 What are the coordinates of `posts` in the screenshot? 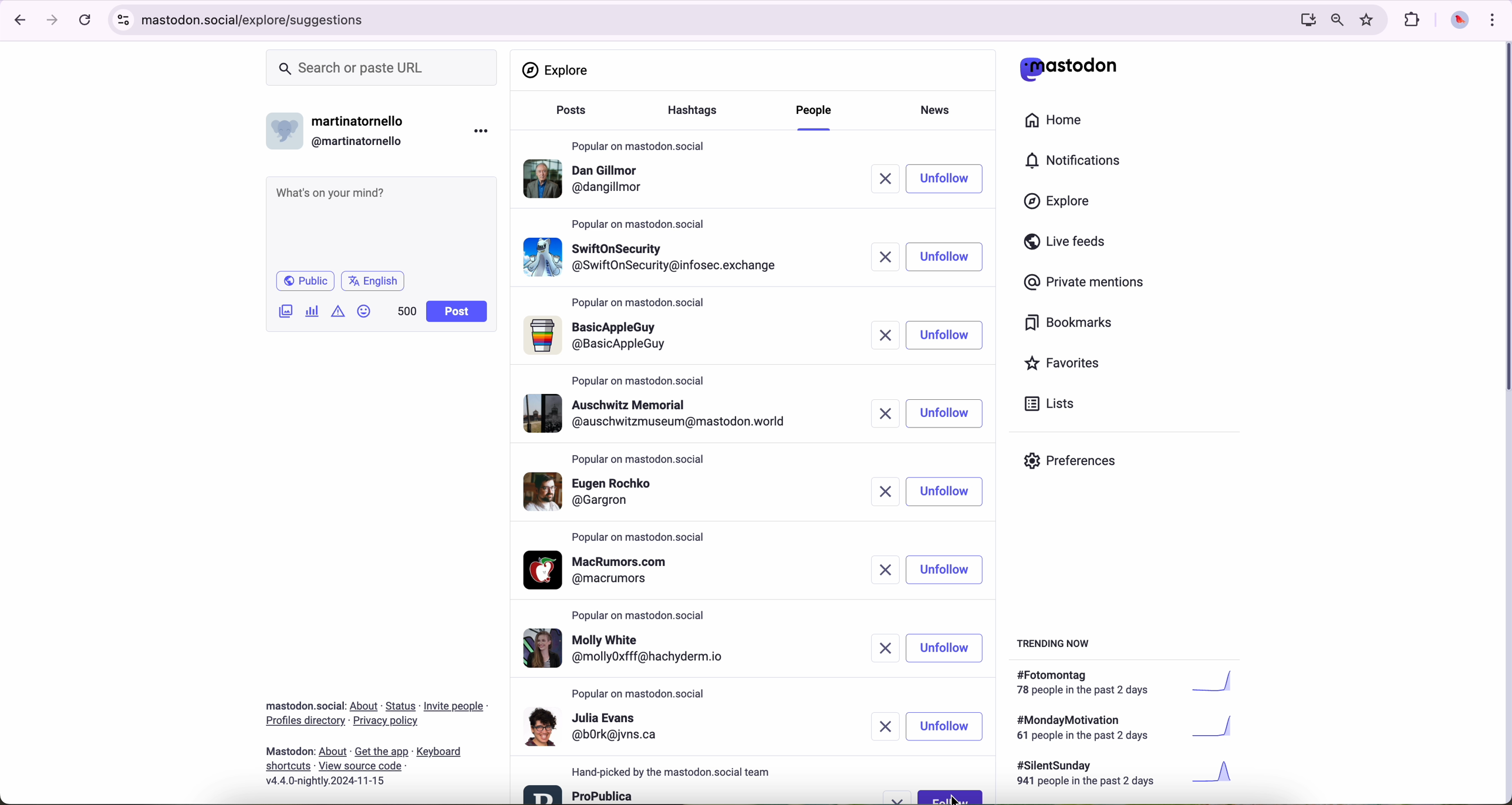 It's located at (568, 116).